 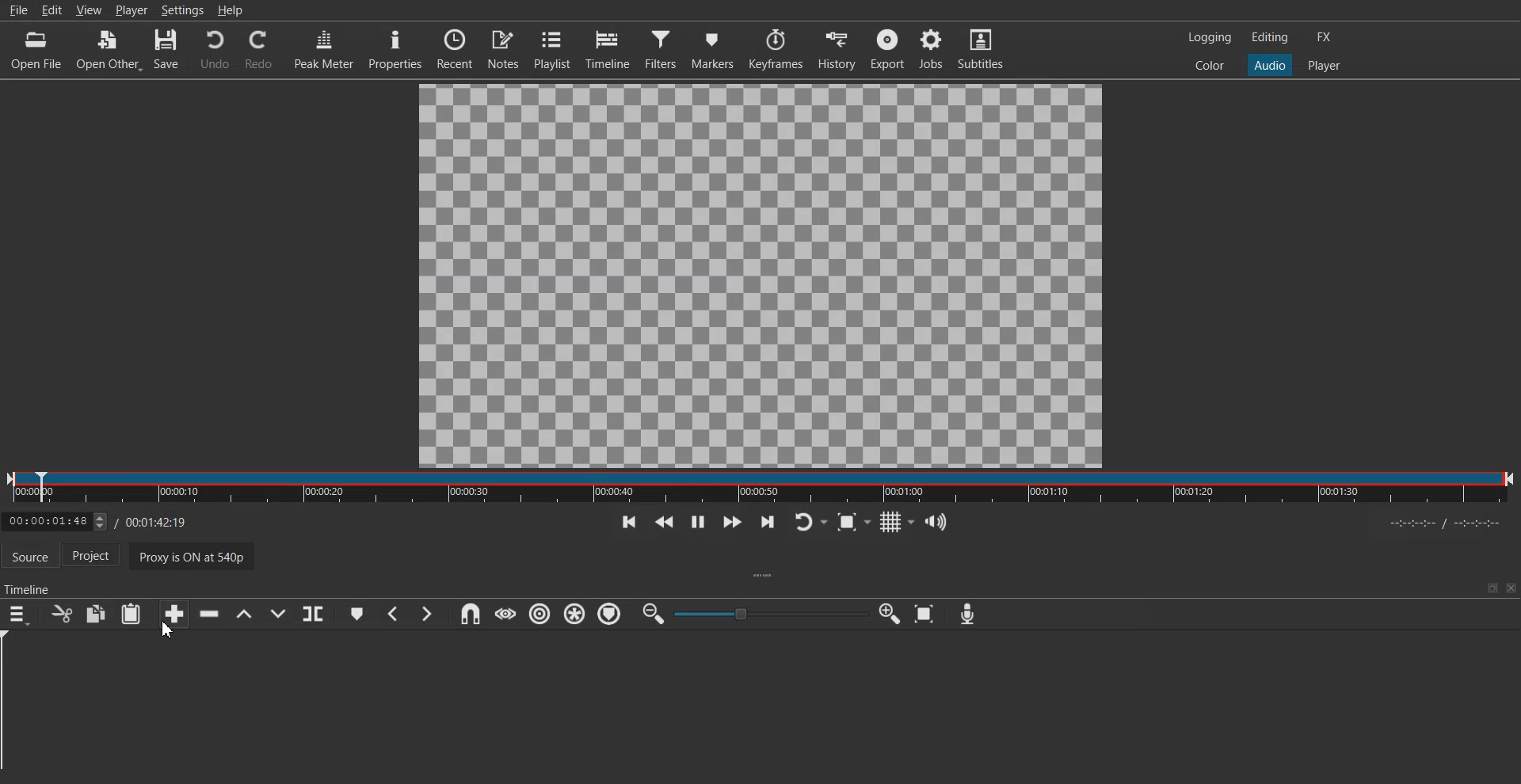 What do you see at coordinates (574, 613) in the screenshot?
I see `Ripple all track` at bounding box center [574, 613].